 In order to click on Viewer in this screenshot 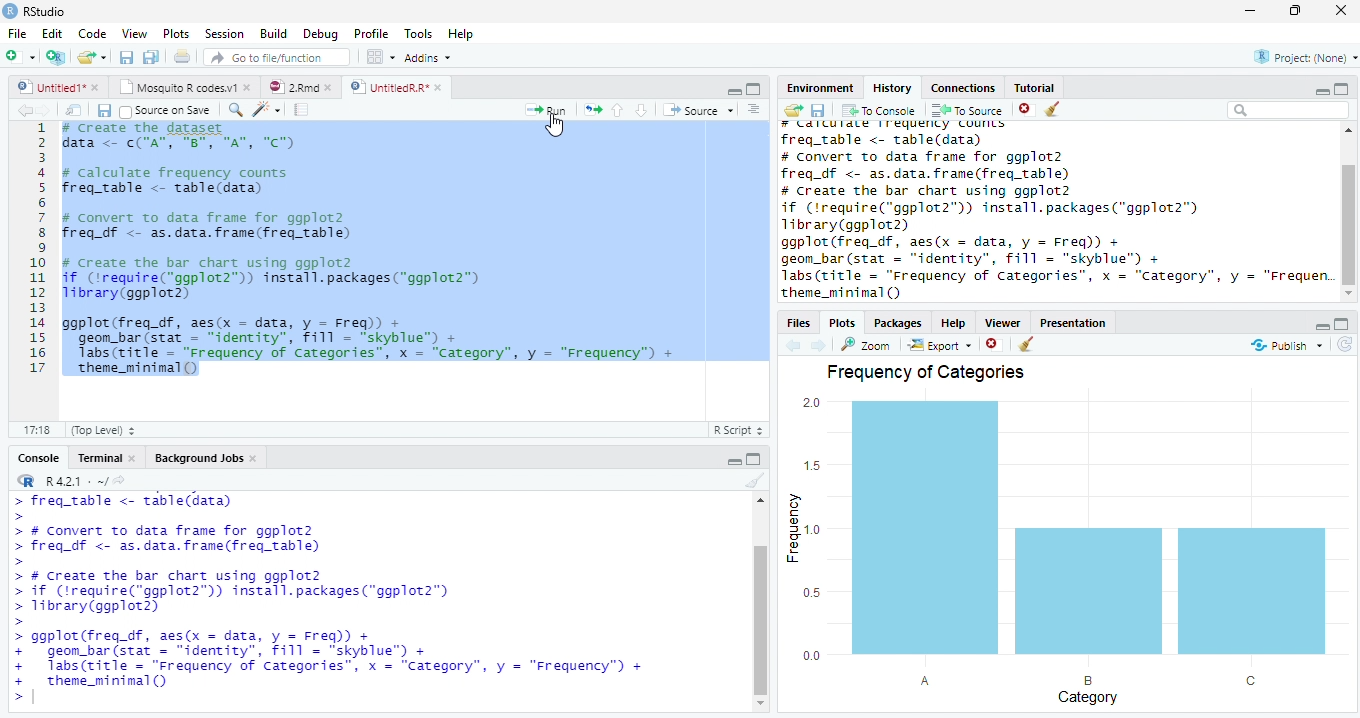, I will do `click(1008, 324)`.